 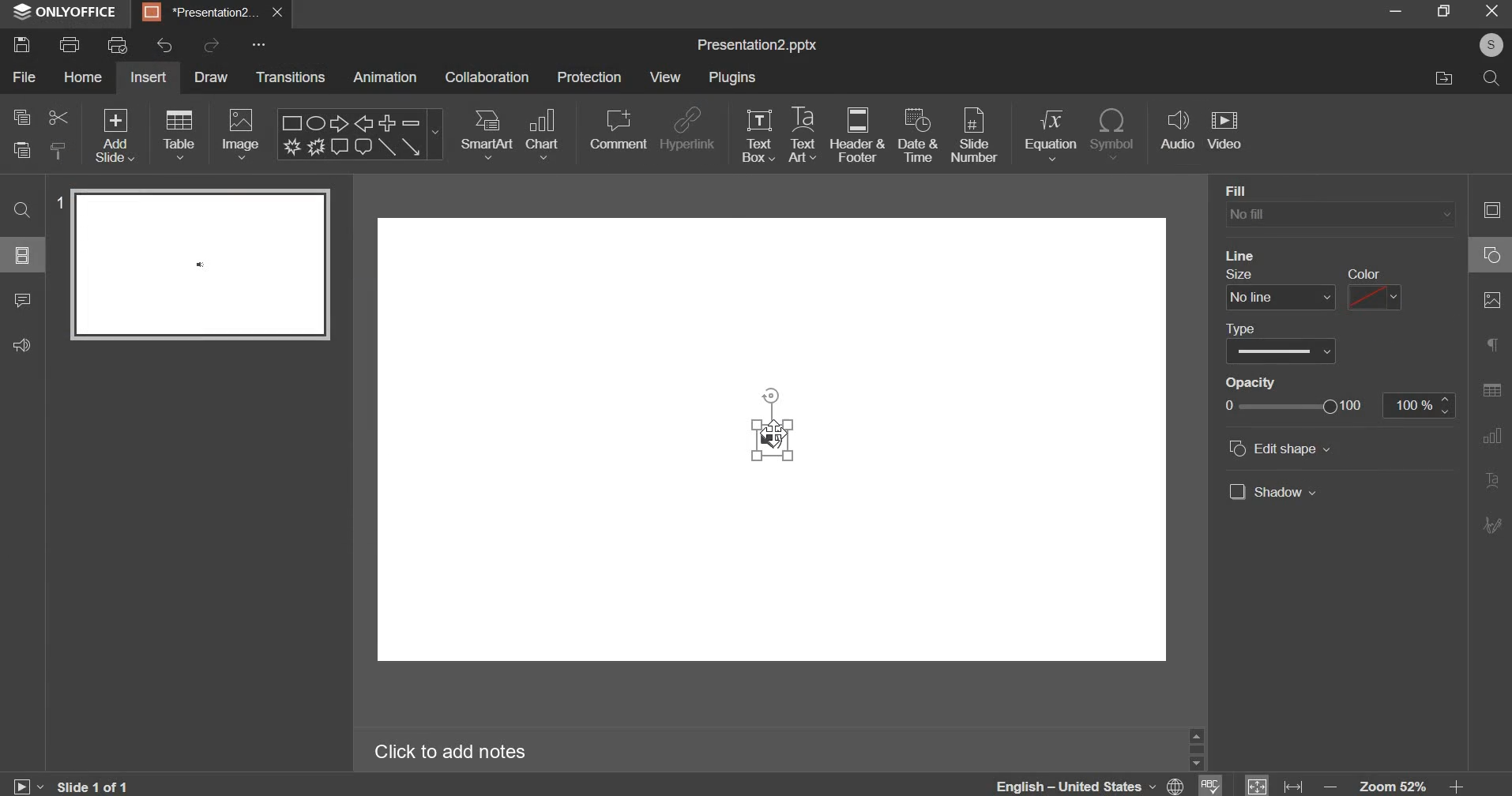 I want to click on date & time, so click(x=918, y=134).